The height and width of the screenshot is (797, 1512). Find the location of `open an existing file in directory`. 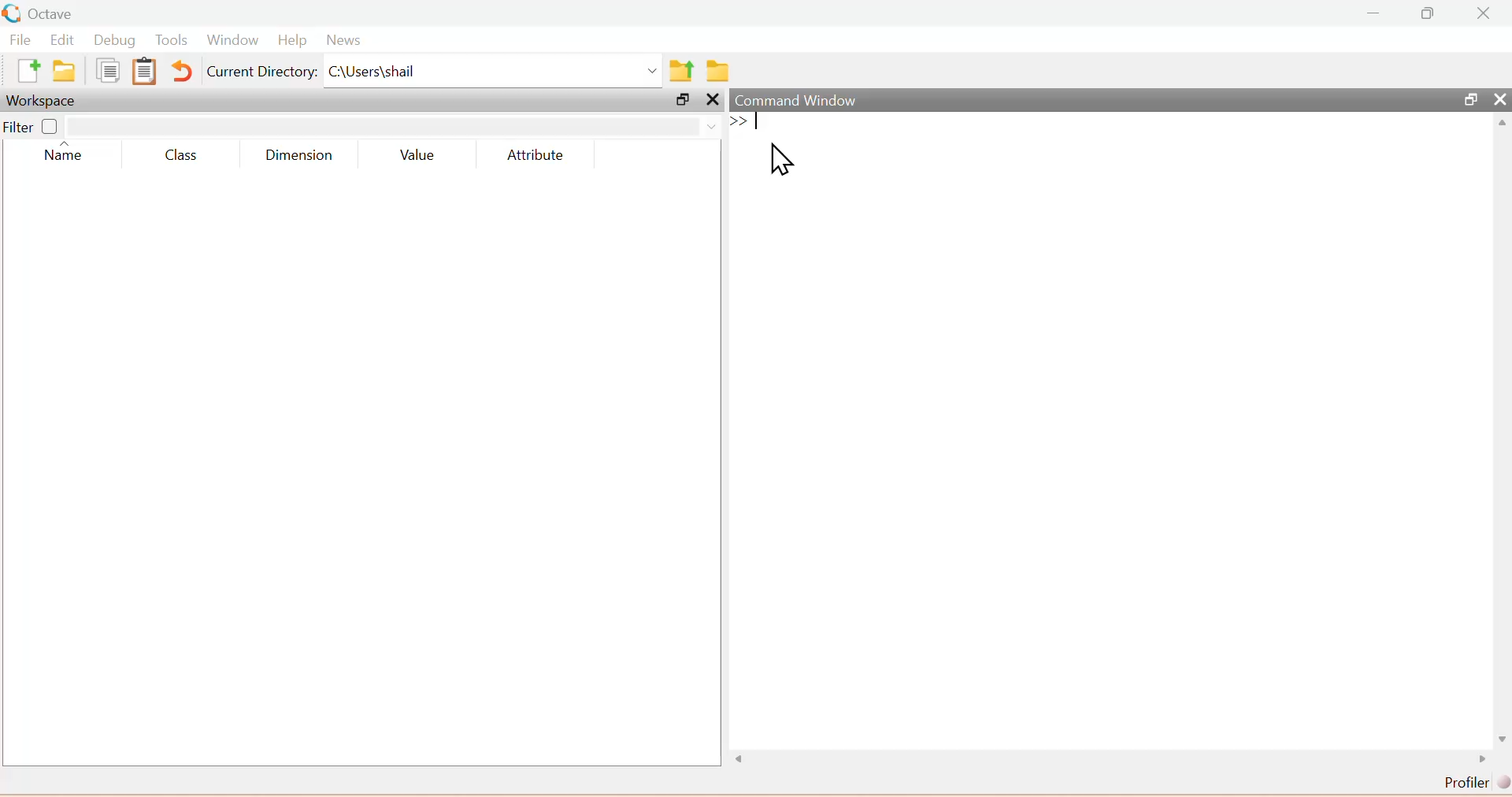

open an existing file in directory is located at coordinates (69, 71).